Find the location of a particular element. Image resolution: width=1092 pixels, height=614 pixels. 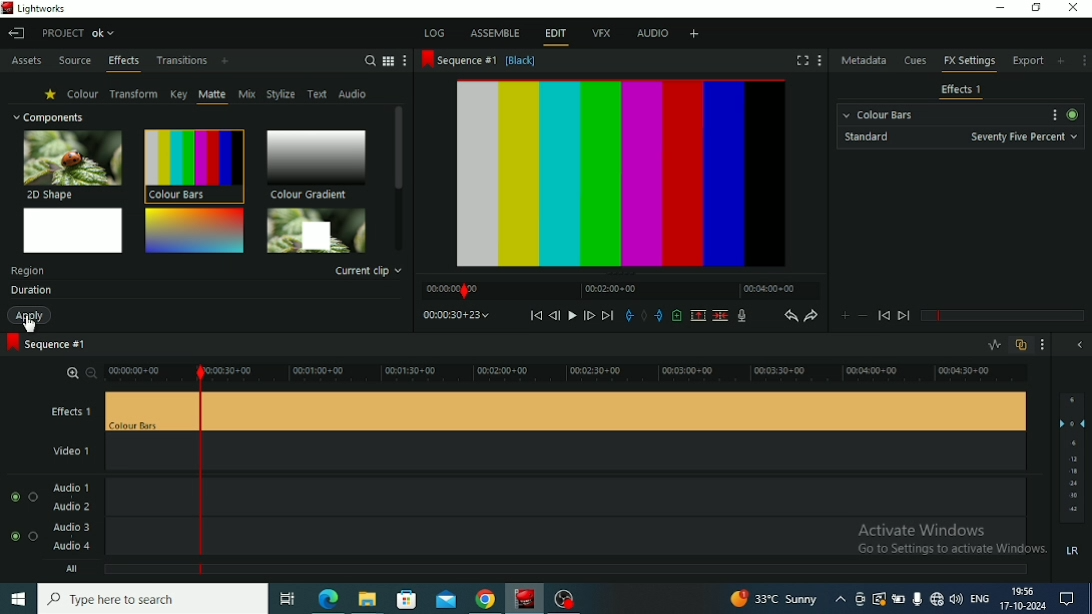

2D Shape is located at coordinates (74, 164).